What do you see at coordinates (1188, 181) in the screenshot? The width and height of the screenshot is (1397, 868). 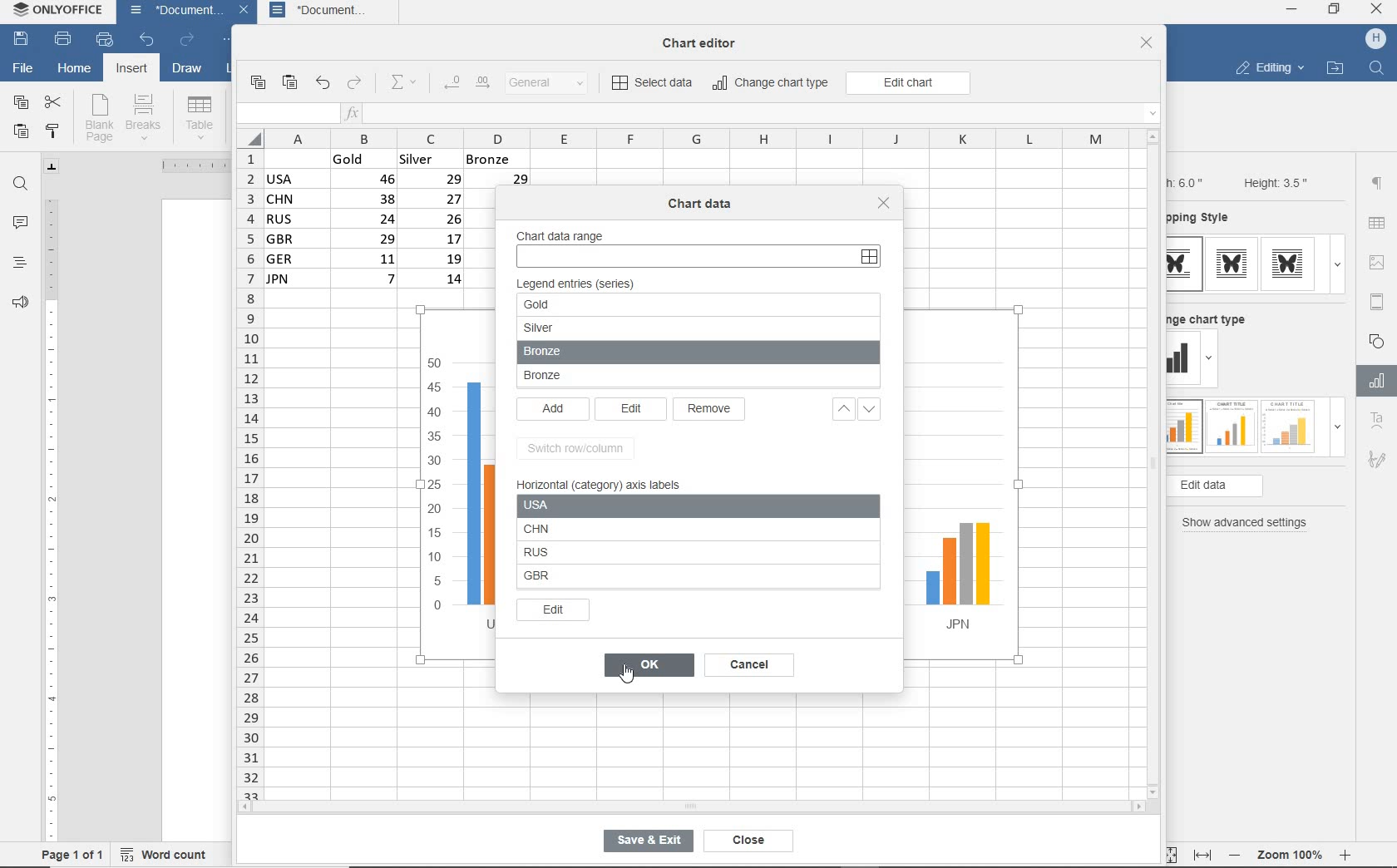 I see `Width: 6.0"` at bounding box center [1188, 181].